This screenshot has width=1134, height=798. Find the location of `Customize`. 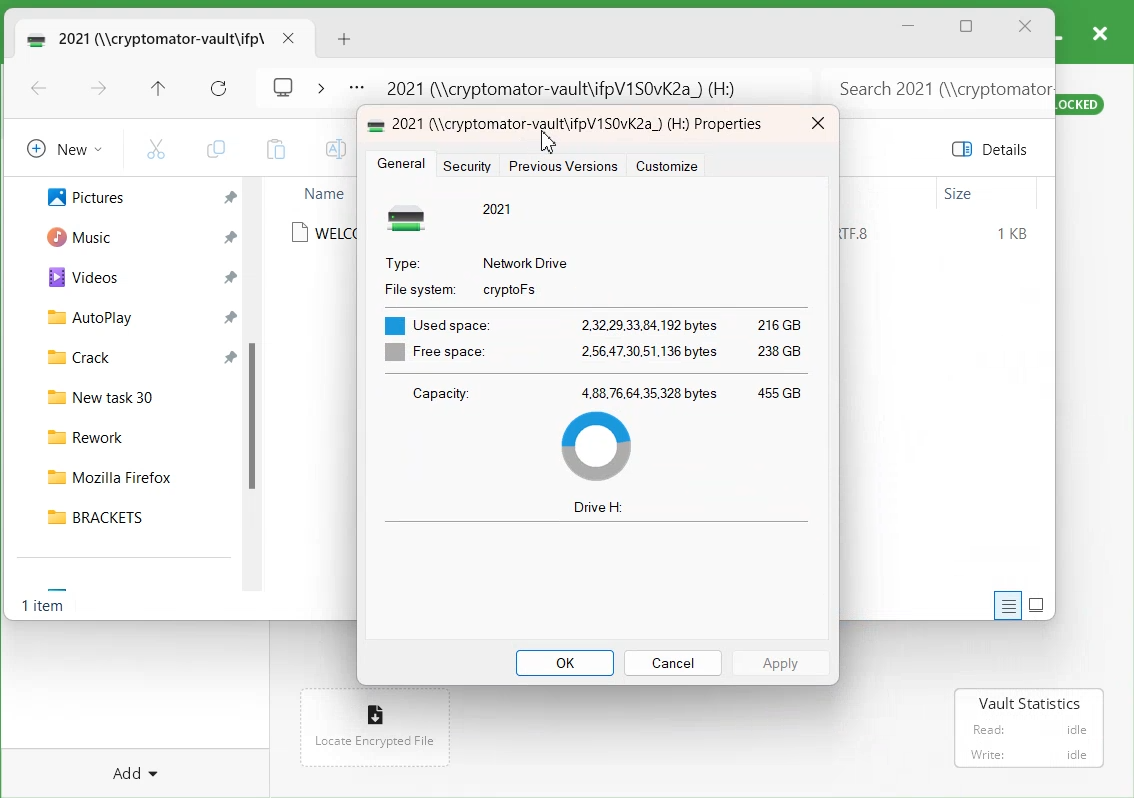

Customize is located at coordinates (667, 166).